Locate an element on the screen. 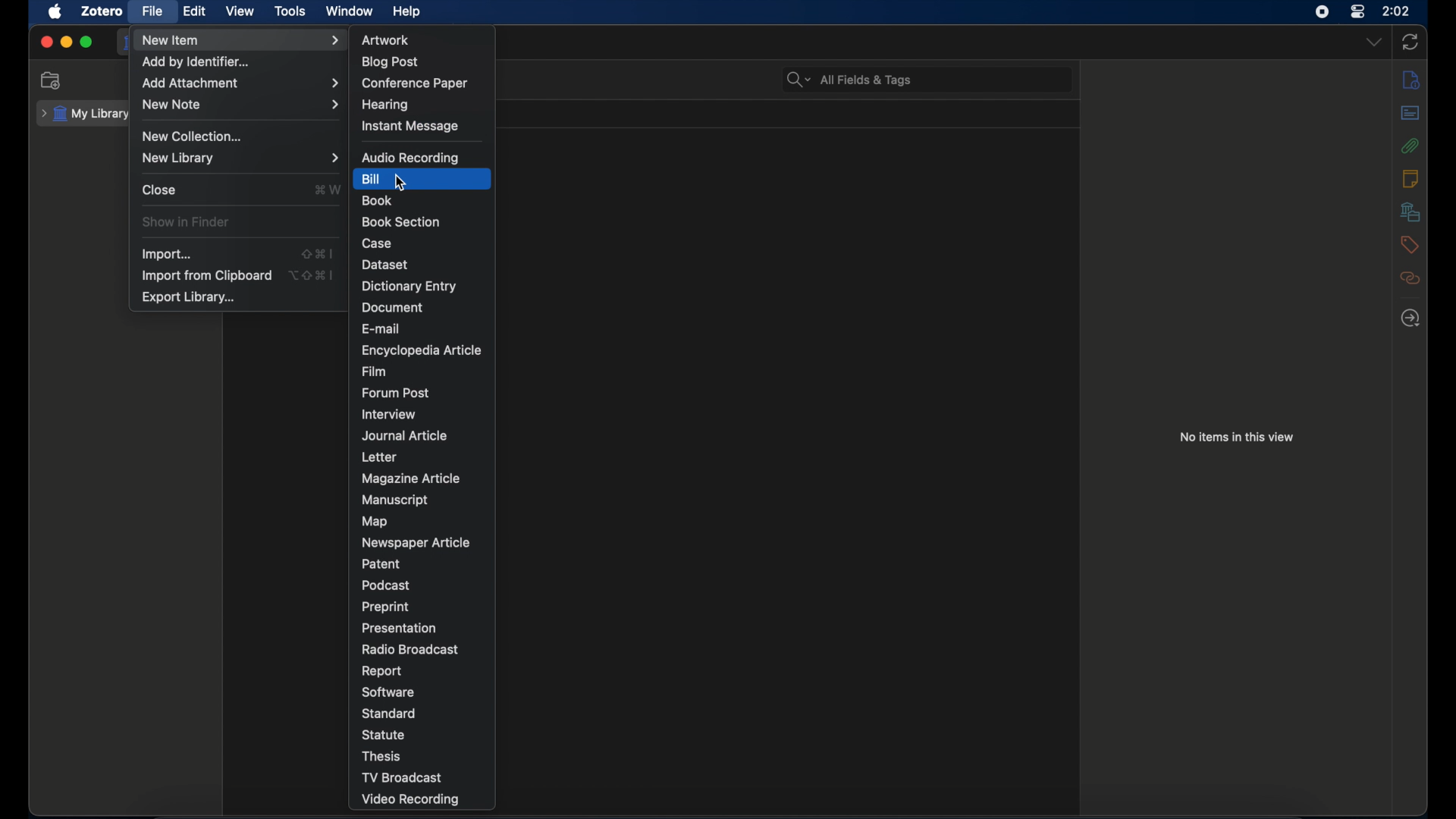 The height and width of the screenshot is (819, 1456). radio broadcast is located at coordinates (409, 649).